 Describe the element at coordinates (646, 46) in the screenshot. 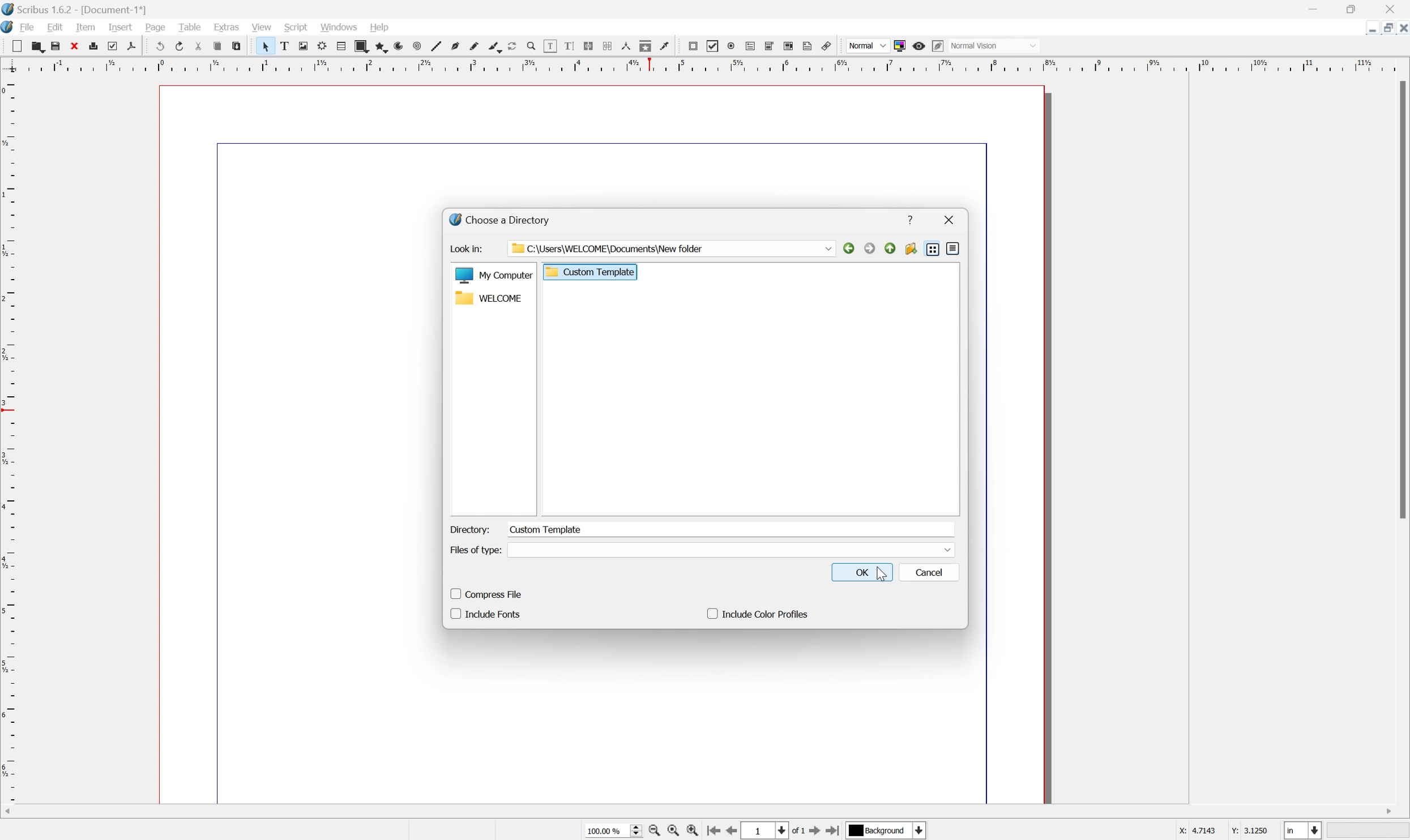

I see `copy item properties` at that location.